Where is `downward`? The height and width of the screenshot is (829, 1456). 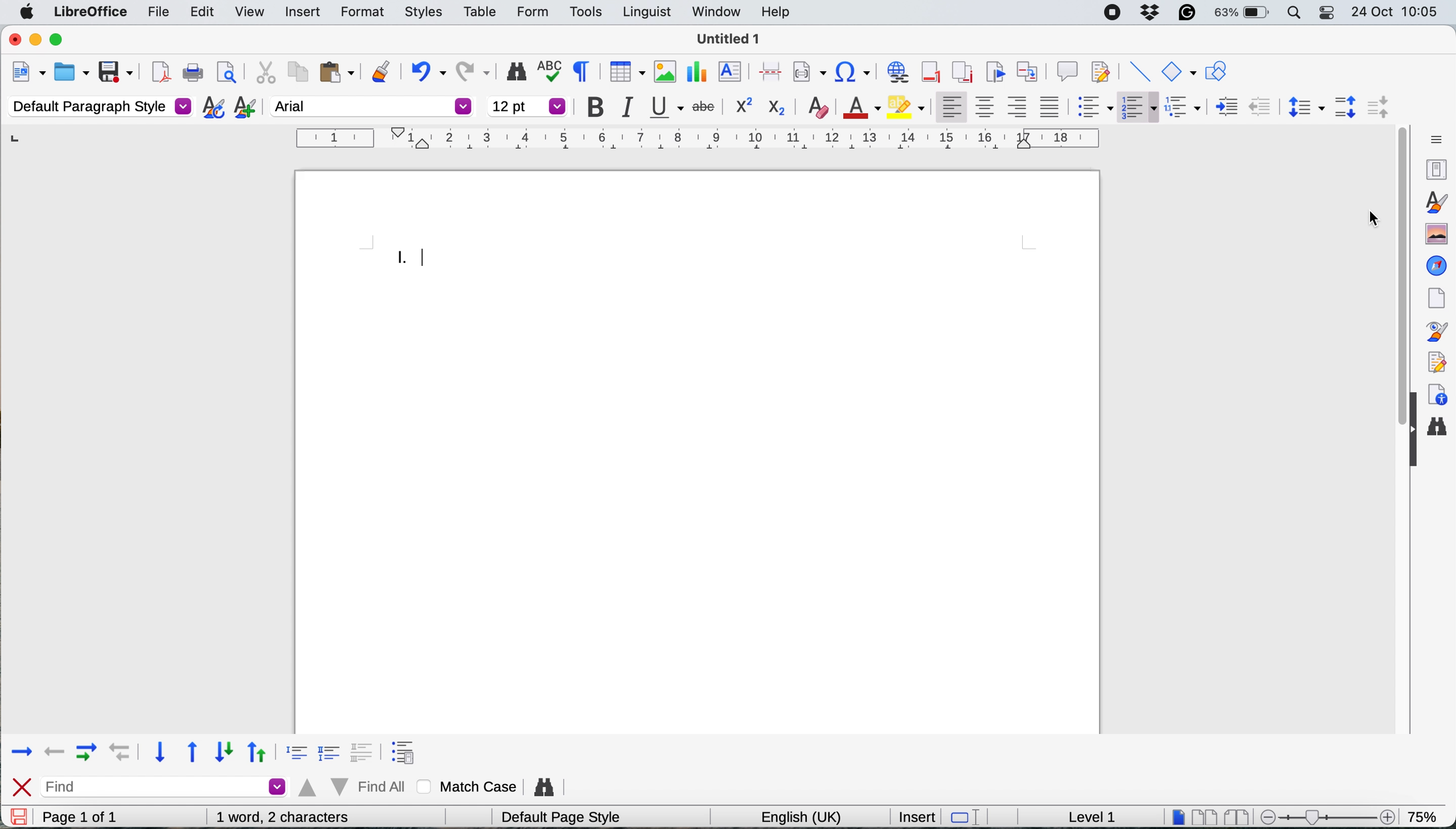
downward is located at coordinates (162, 753).